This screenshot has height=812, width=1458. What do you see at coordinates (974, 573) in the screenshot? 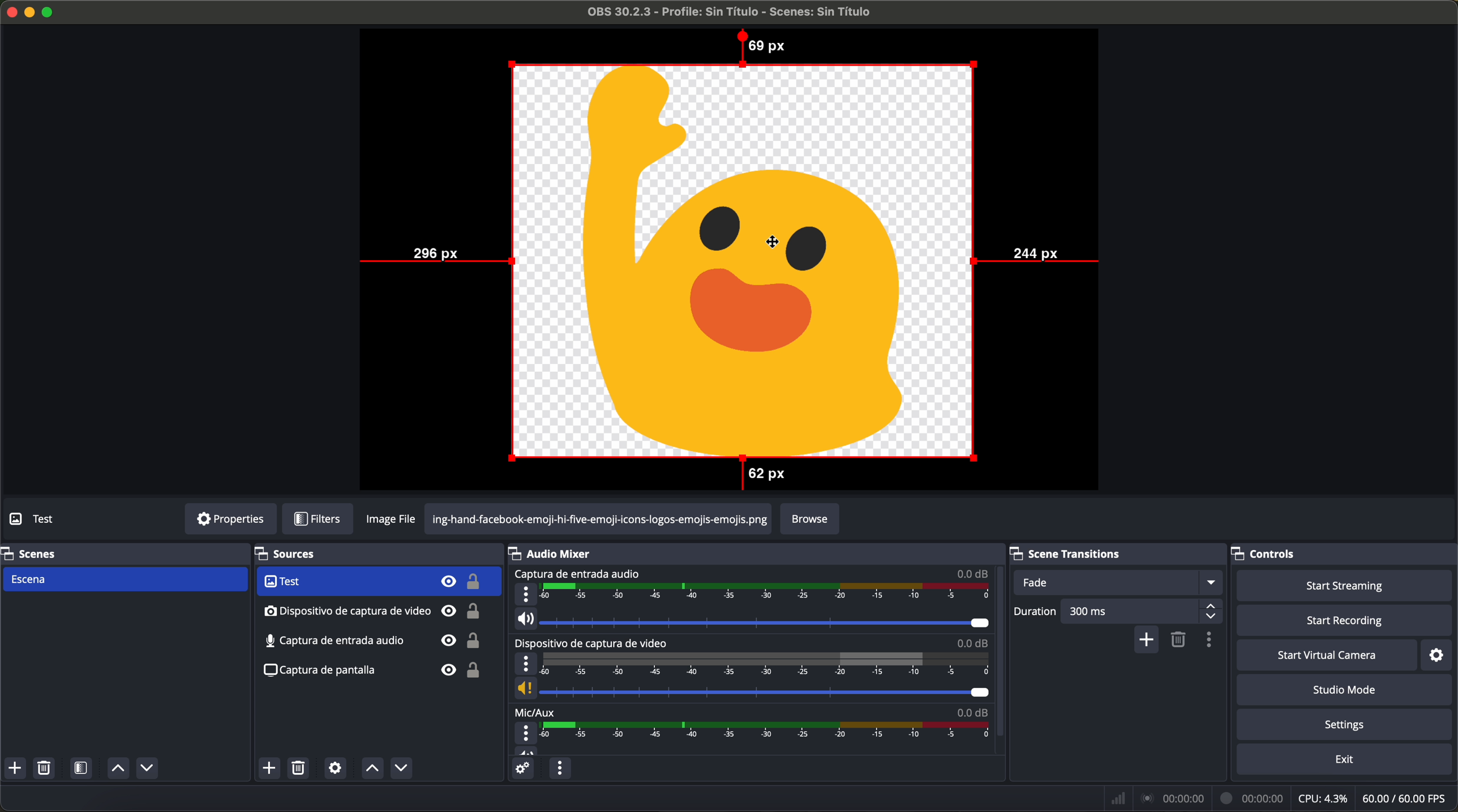
I see `0.0 dB` at bounding box center [974, 573].